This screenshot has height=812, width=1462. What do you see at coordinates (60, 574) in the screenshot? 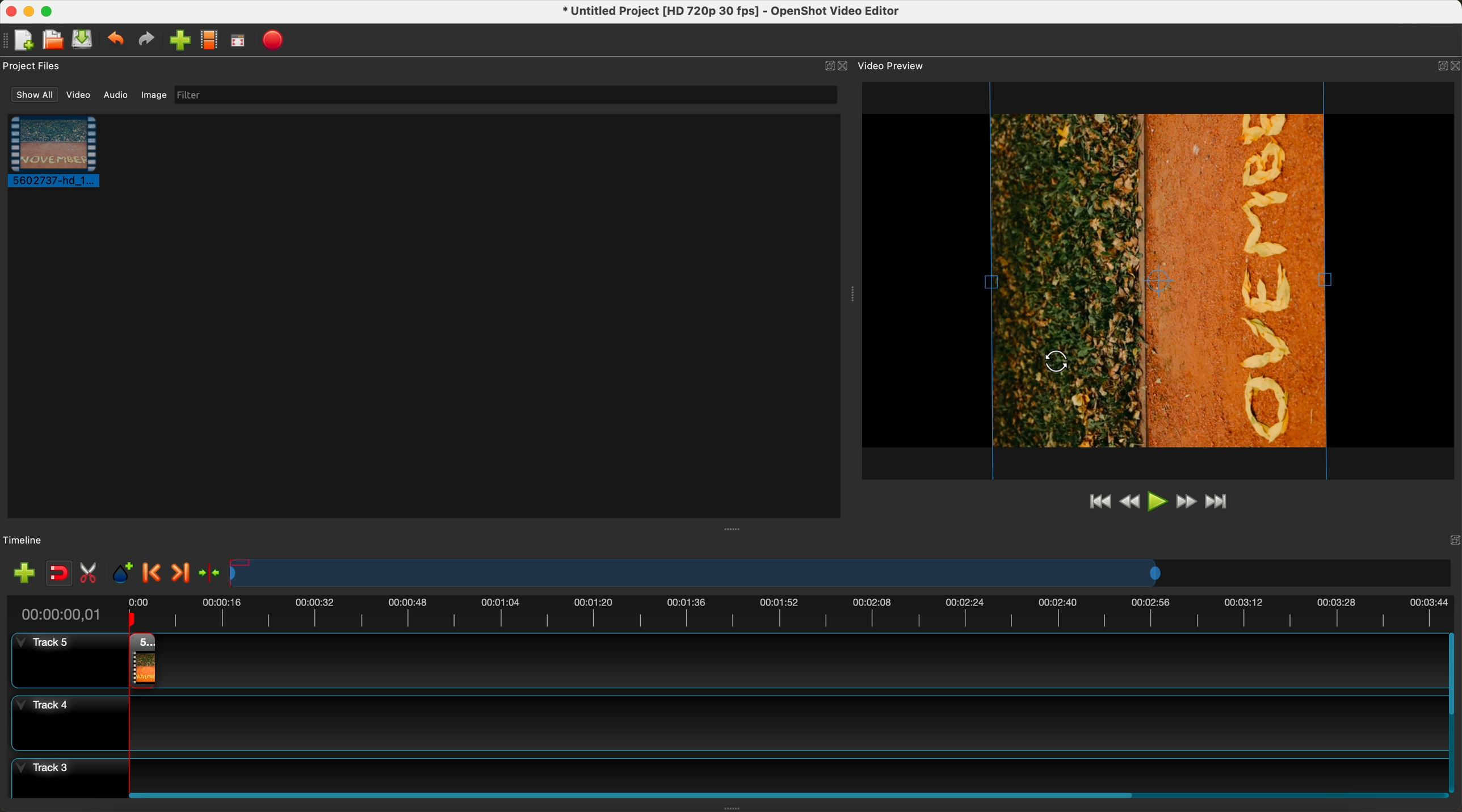
I see `disable snapping` at bounding box center [60, 574].